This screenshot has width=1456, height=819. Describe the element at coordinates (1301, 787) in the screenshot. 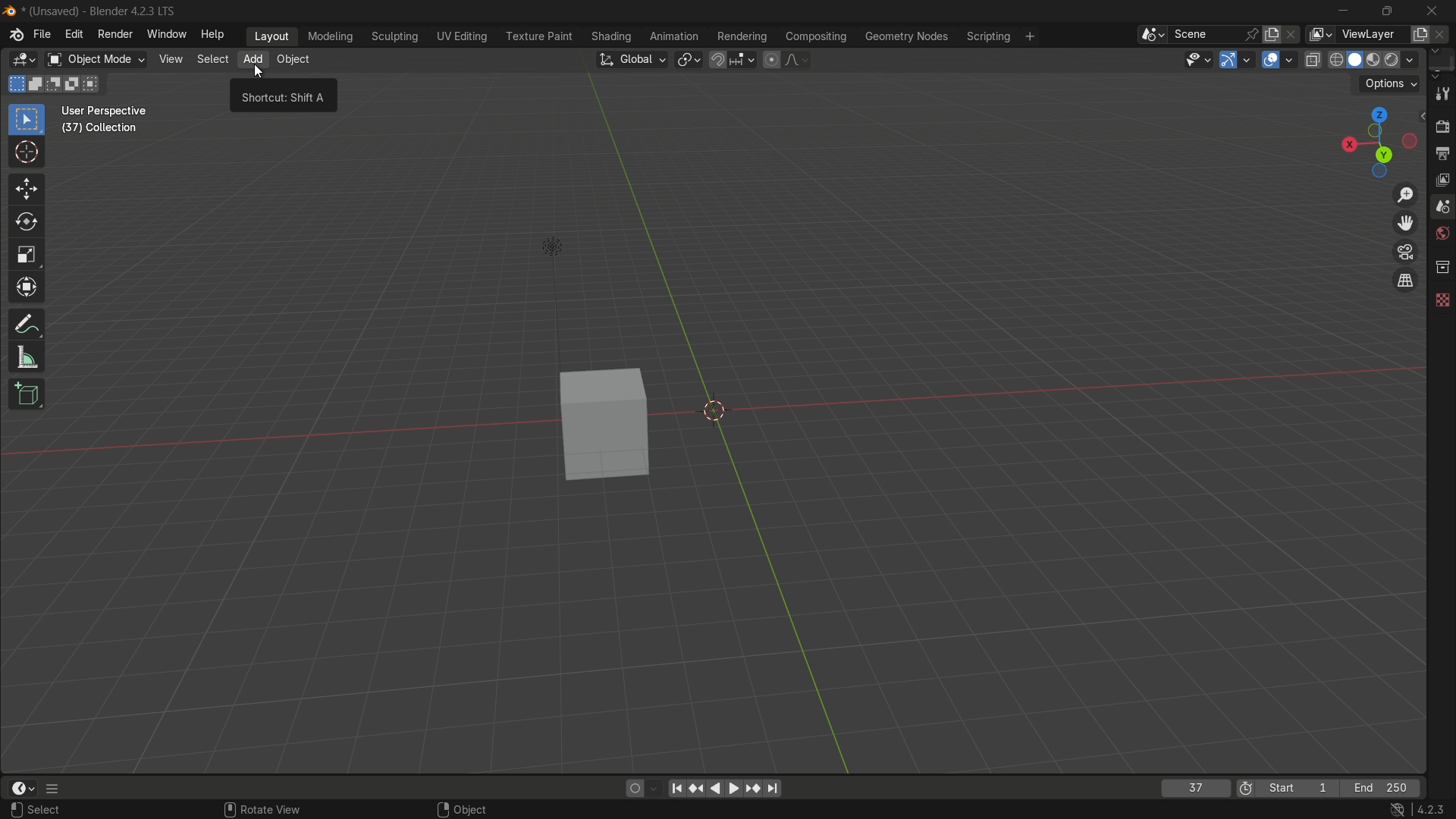

I see `start` at that location.